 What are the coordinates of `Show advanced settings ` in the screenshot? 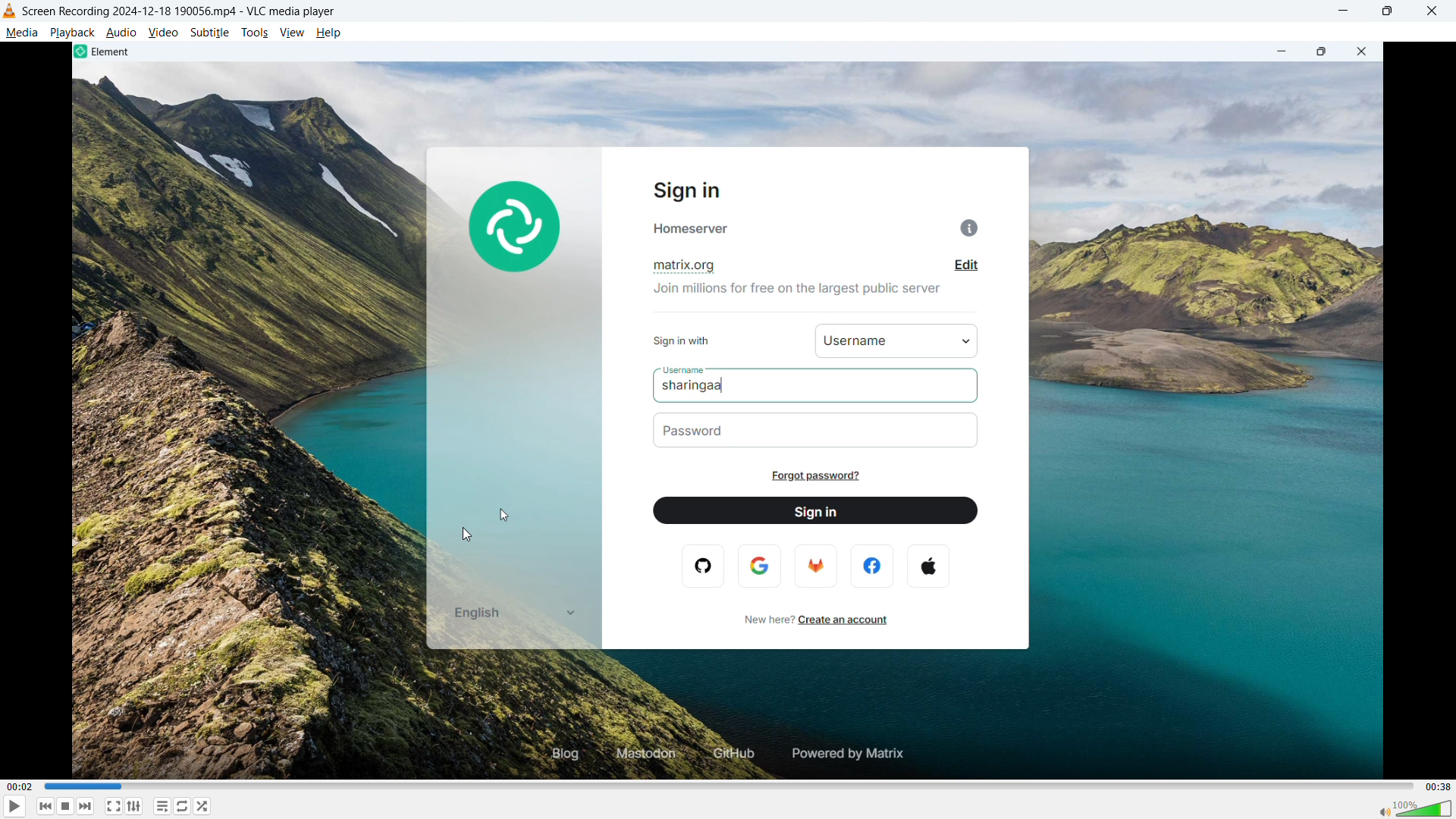 It's located at (133, 807).